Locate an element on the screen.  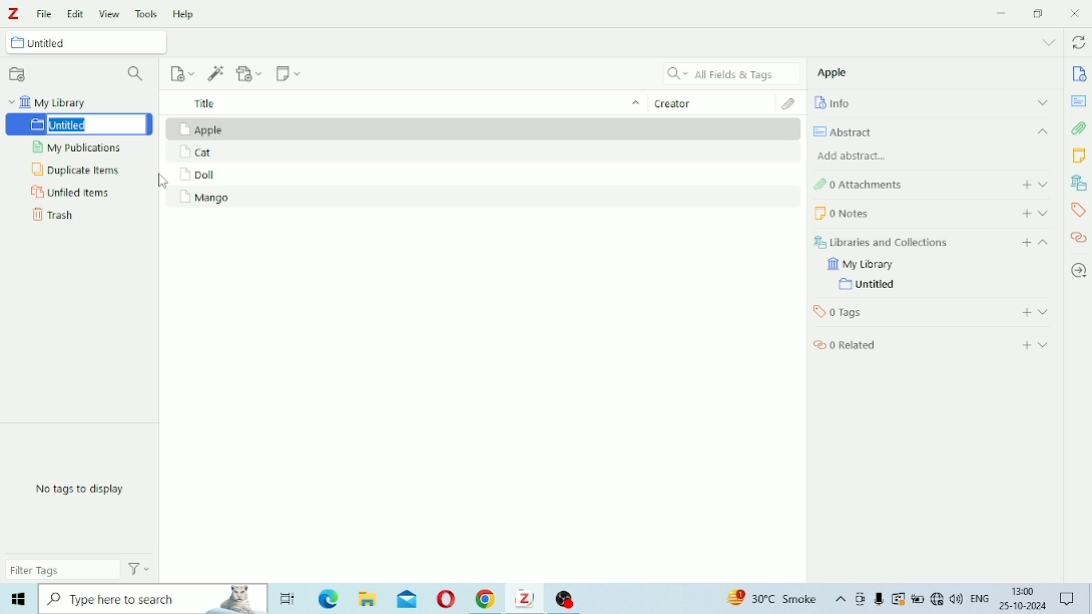
Locate is located at coordinates (1079, 271).